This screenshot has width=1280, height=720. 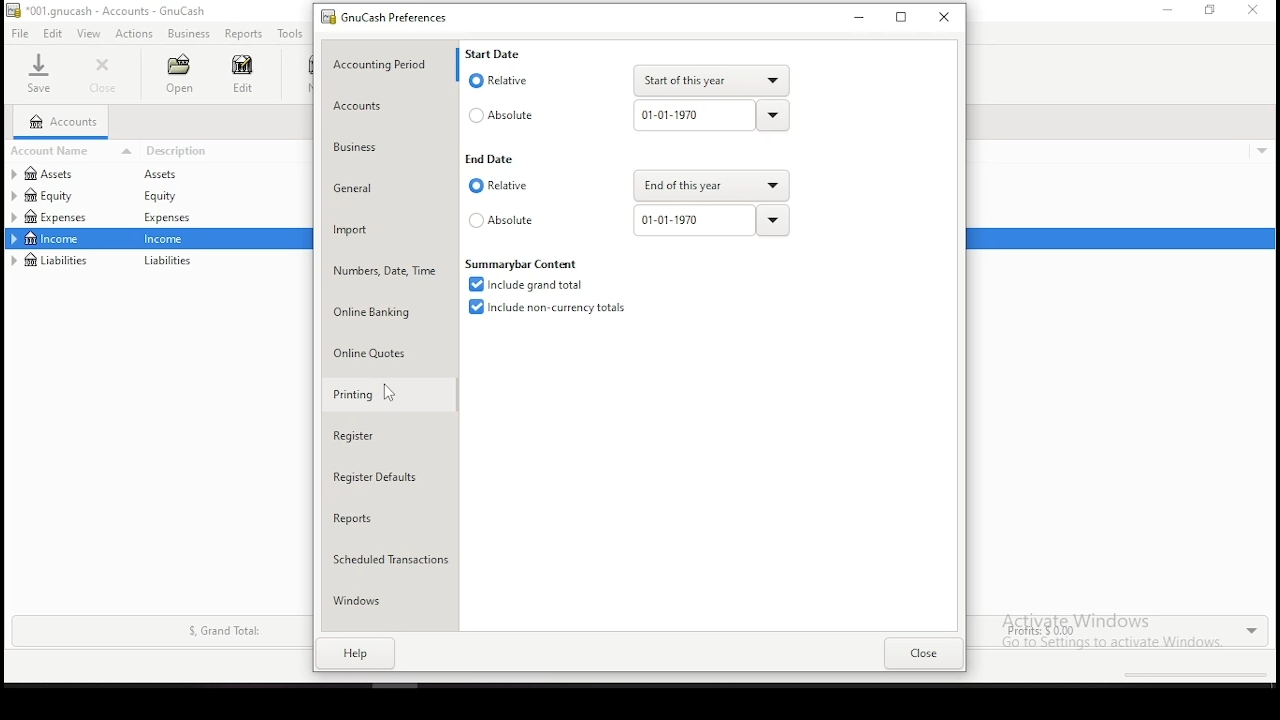 What do you see at coordinates (370, 148) in the screenshot?
I see `business` at bounding box center [370, 148].